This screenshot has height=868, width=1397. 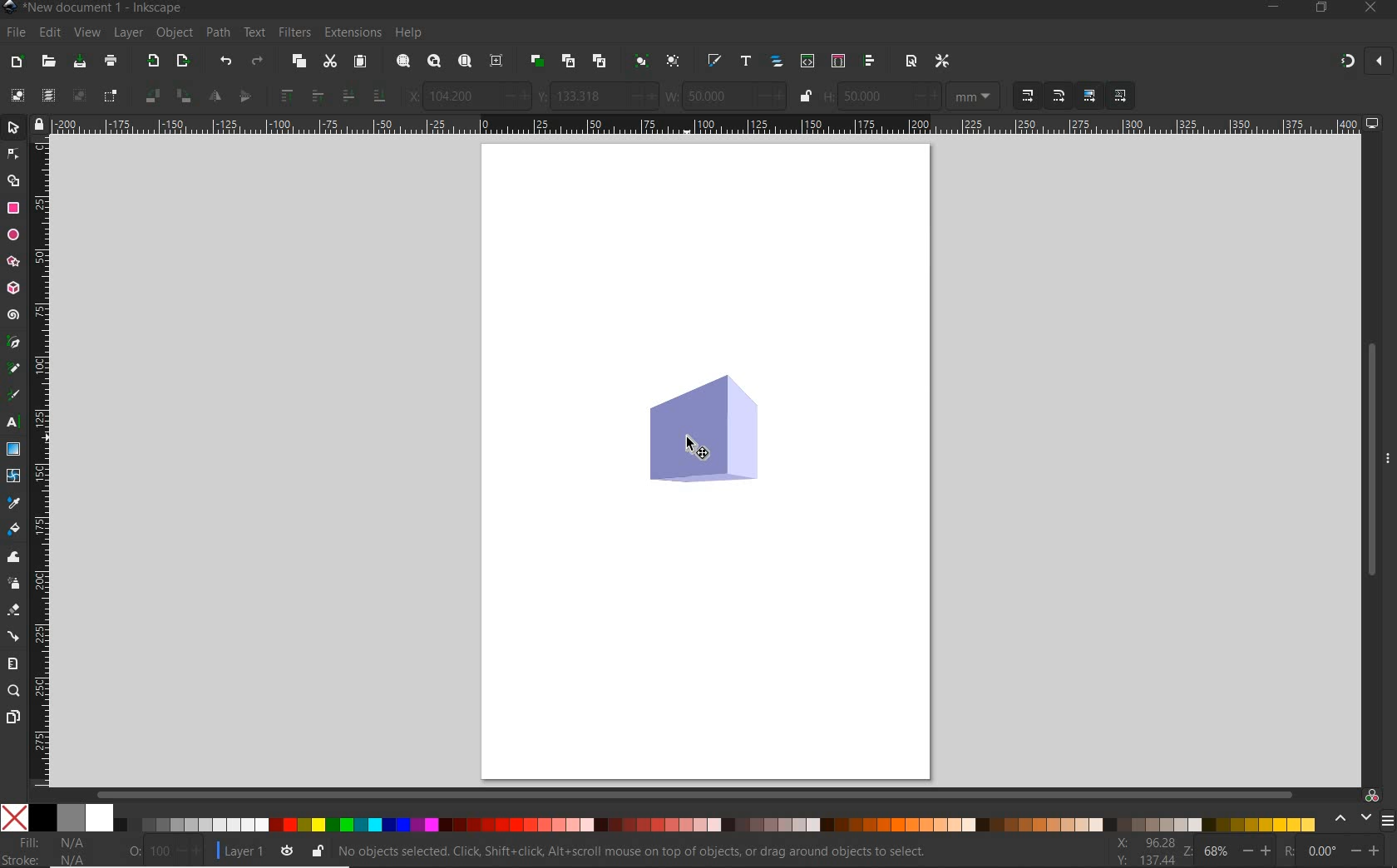 What do you see at coordinates (641, 96) in the screenshot?
I see `increase/decrease` at bounding box center [641, 96].